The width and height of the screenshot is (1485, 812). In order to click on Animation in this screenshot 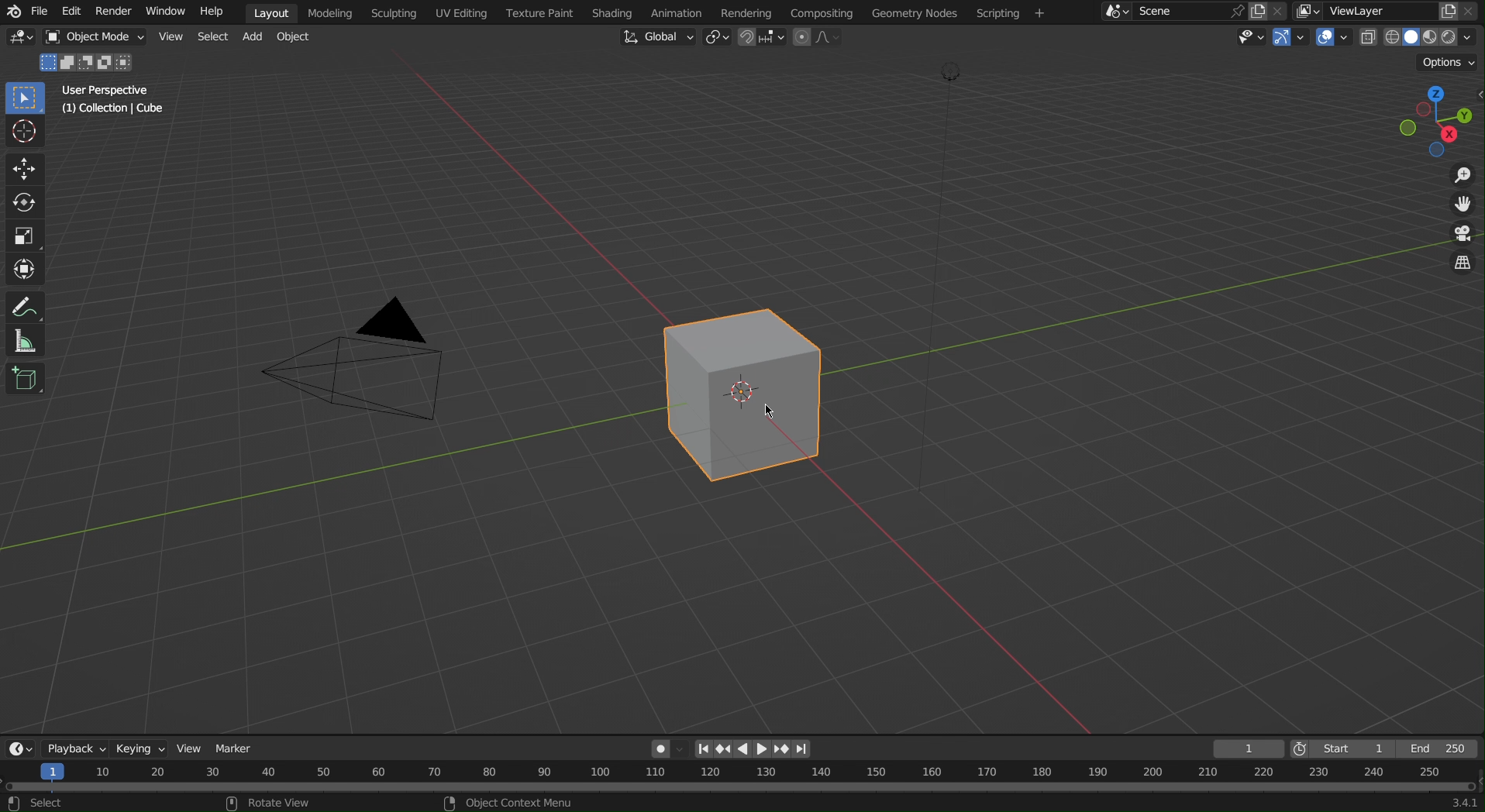, I will do `click(678, 13)`.